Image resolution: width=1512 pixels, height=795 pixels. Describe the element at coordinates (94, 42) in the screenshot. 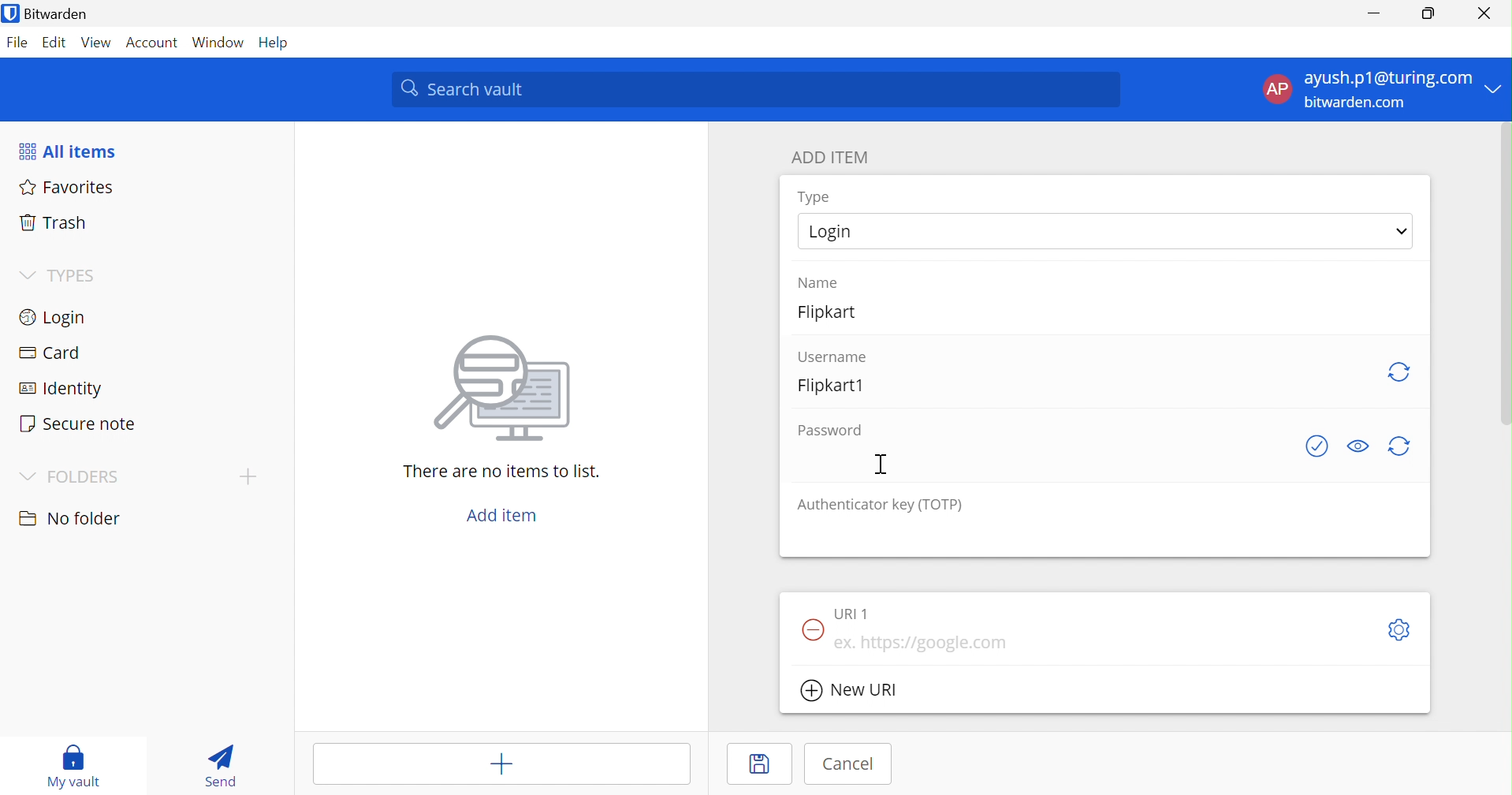

I see `View` at that location.